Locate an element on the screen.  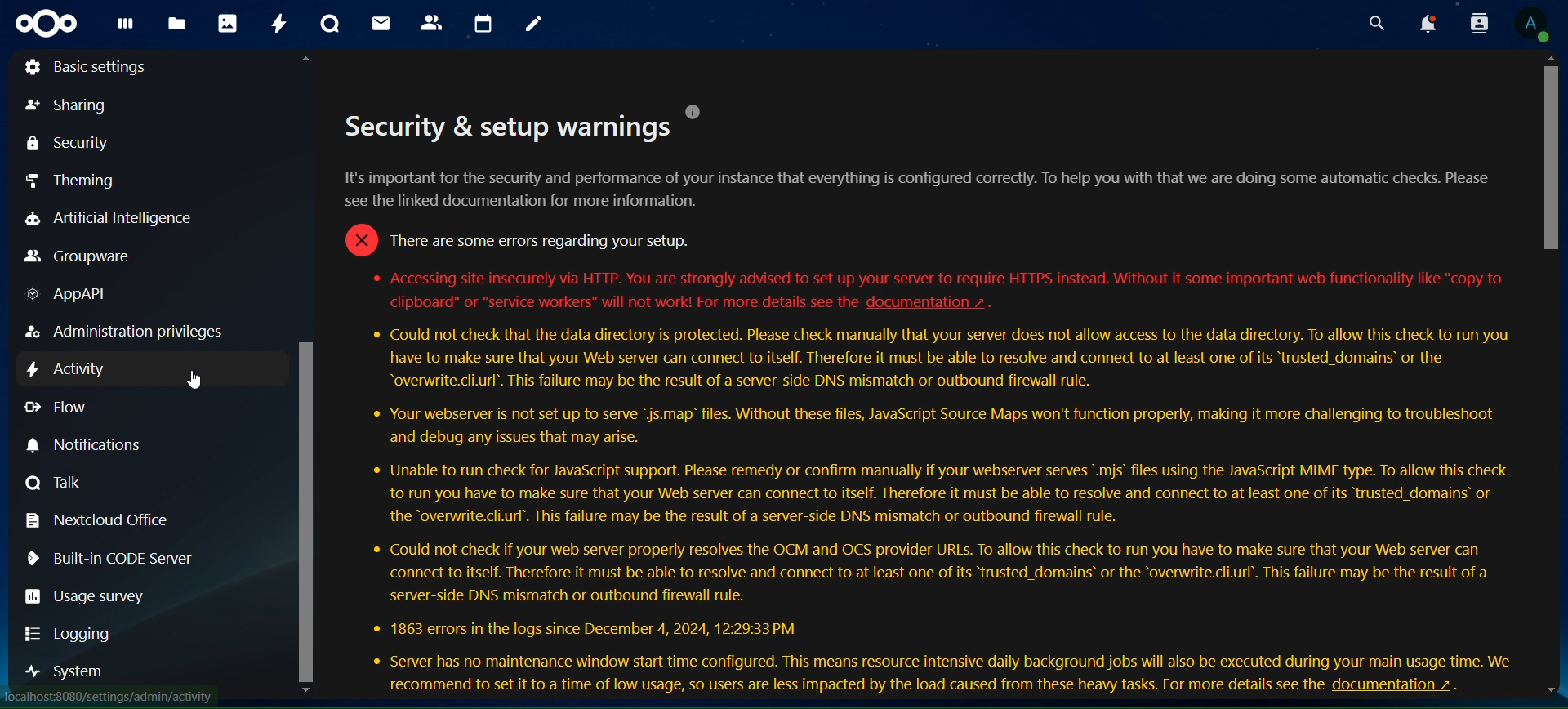
It's important for the security and performance of your instance that everything is configured correctly. To help you with that we are doing some automatic checks. Please
see the linked documentation for more information. is located at coordinates (894, 187).